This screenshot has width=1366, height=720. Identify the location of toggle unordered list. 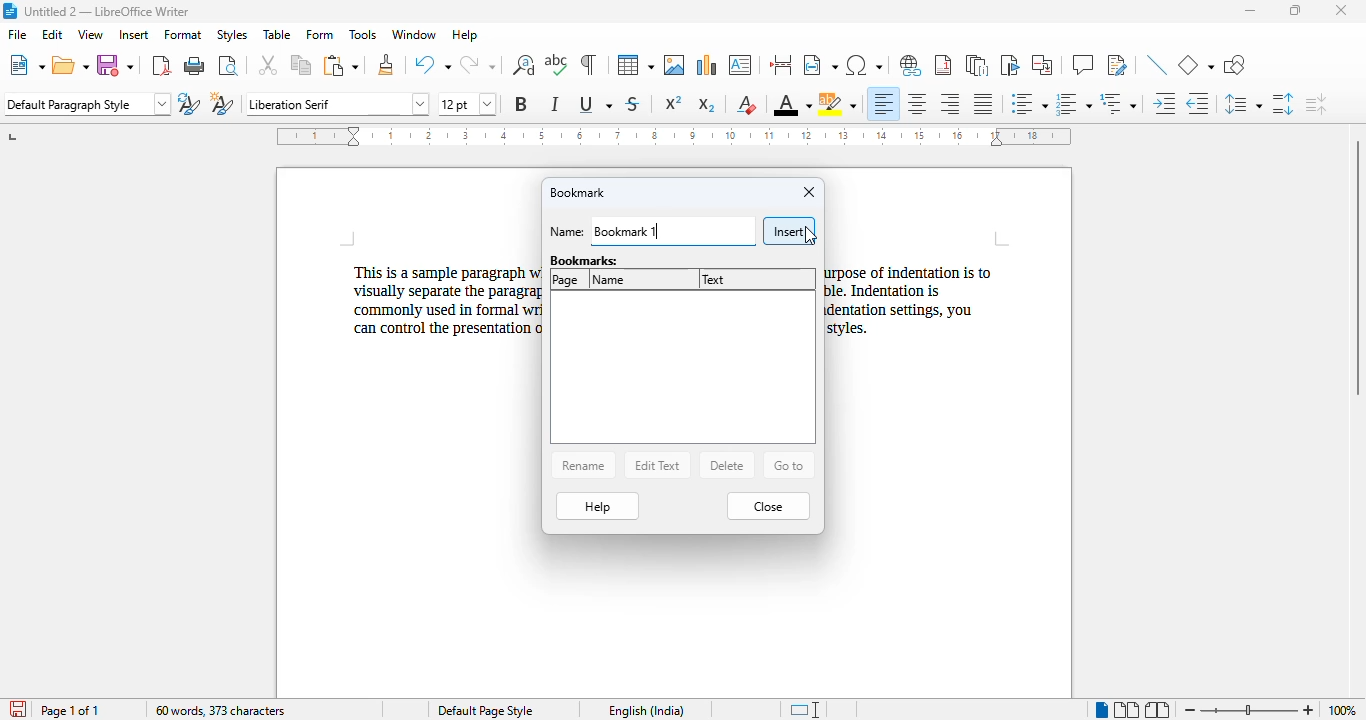
(1030, 103).